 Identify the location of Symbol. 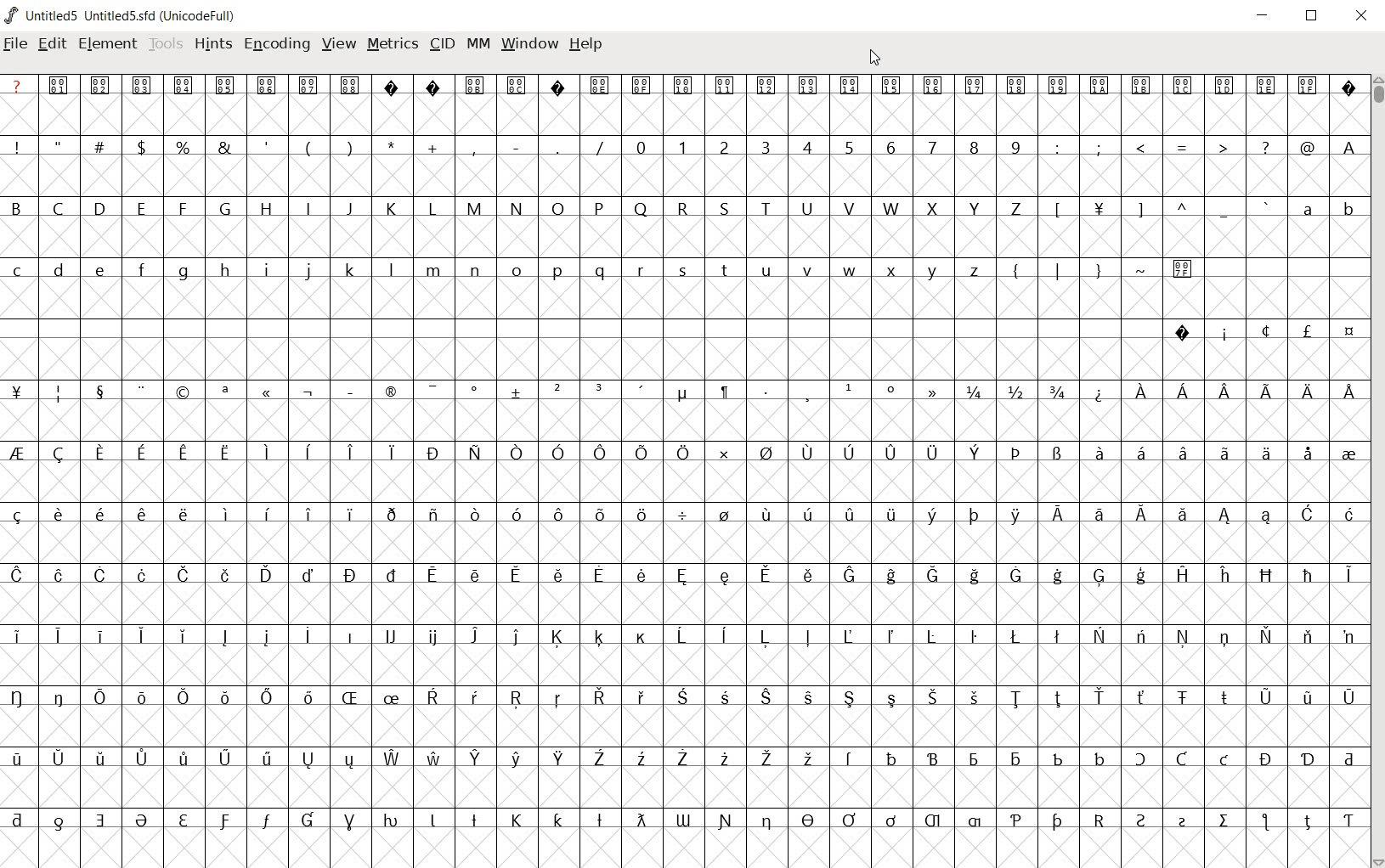
(1183, 395).